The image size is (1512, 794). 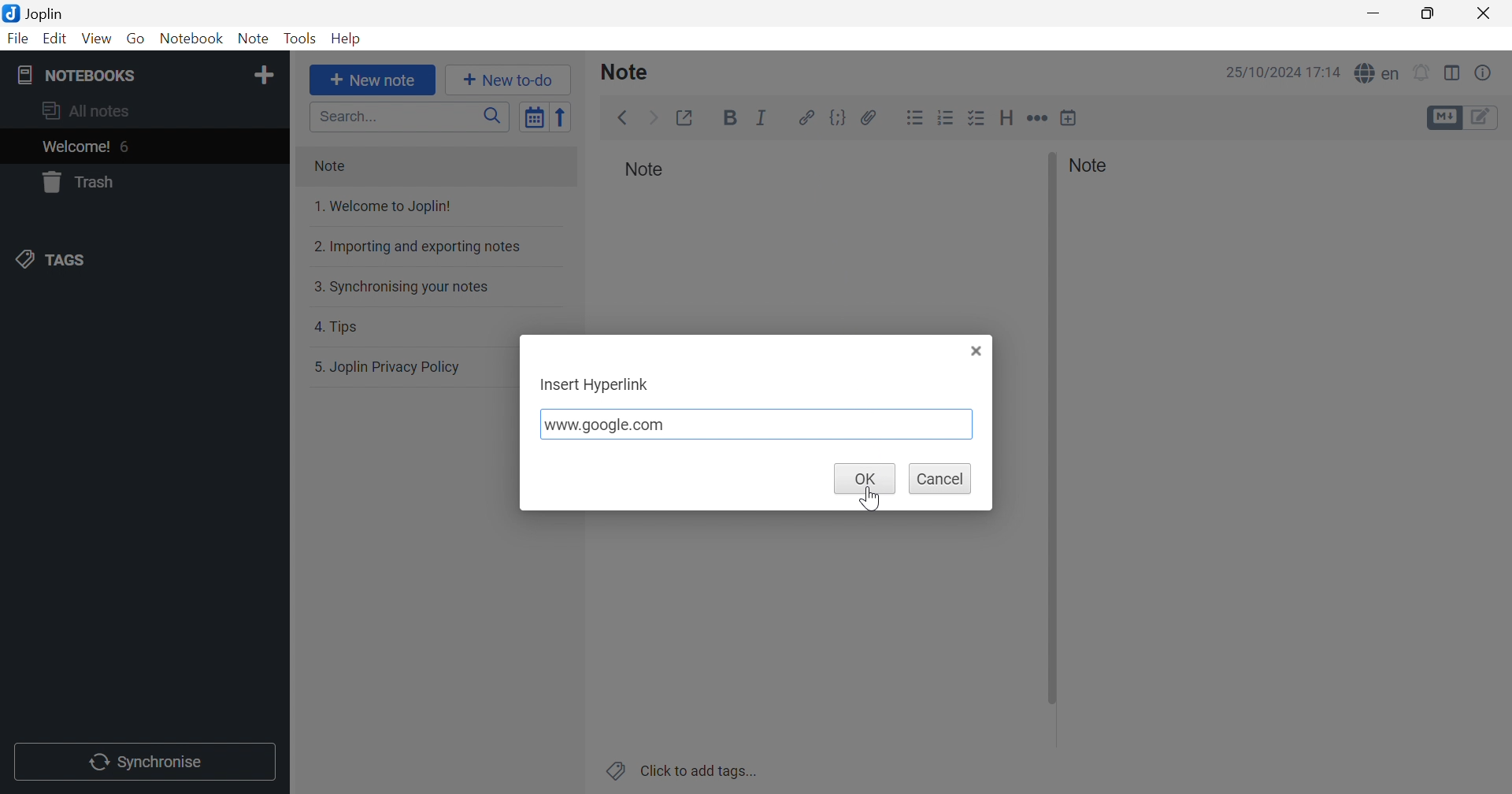 What do you see at coordinates (345, 40) in the screenshot?
I see `Help` at bounding box center [345, 40].